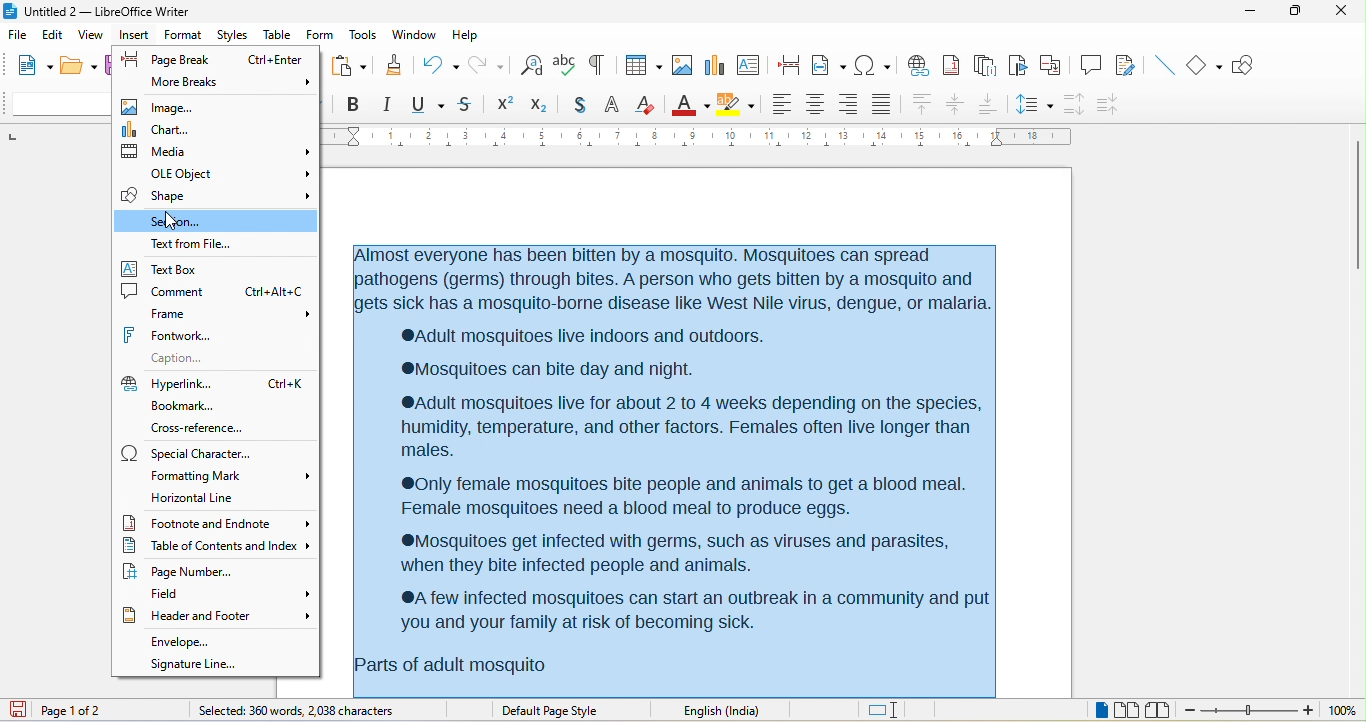 Image resolution: width=1366 pixels, height=722 pixels. Describe the element at coordinates (531, 67) in the screenshot. I see `find and replace` at that location.